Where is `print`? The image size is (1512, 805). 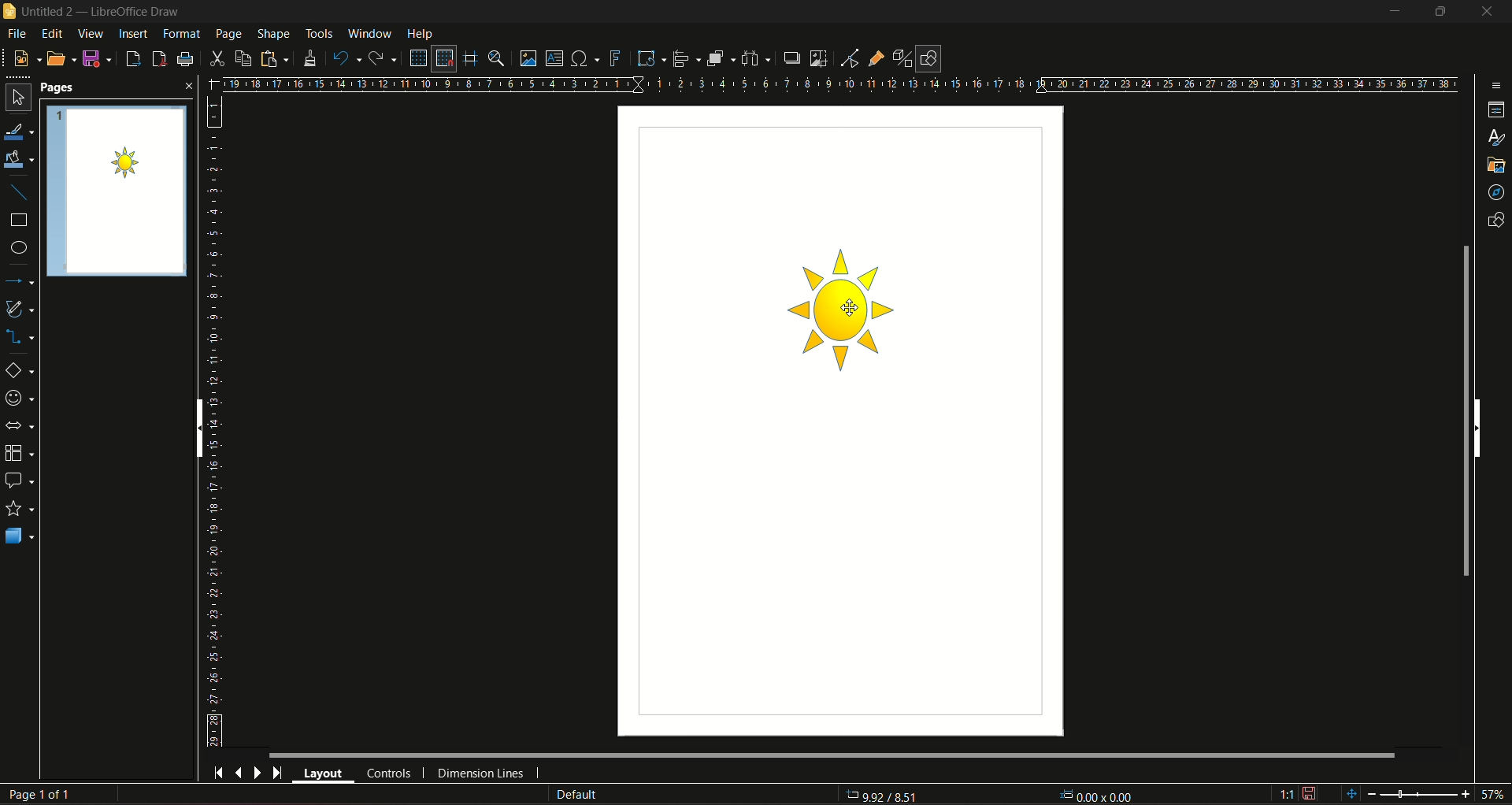
print is located at coordinates (187, 58).